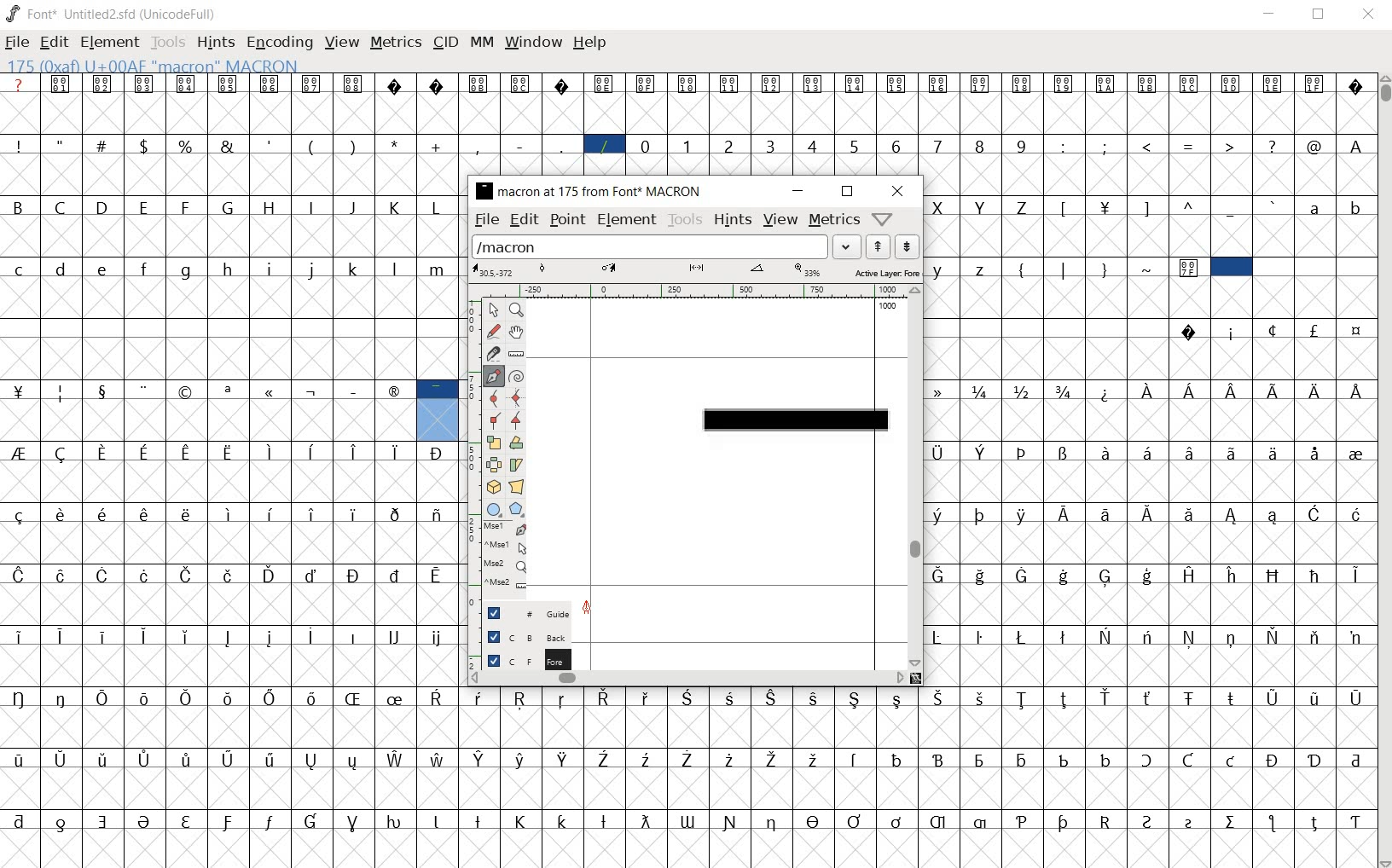 The image size is (1392, 868). I want to click on Symbol, so click(357, 697).